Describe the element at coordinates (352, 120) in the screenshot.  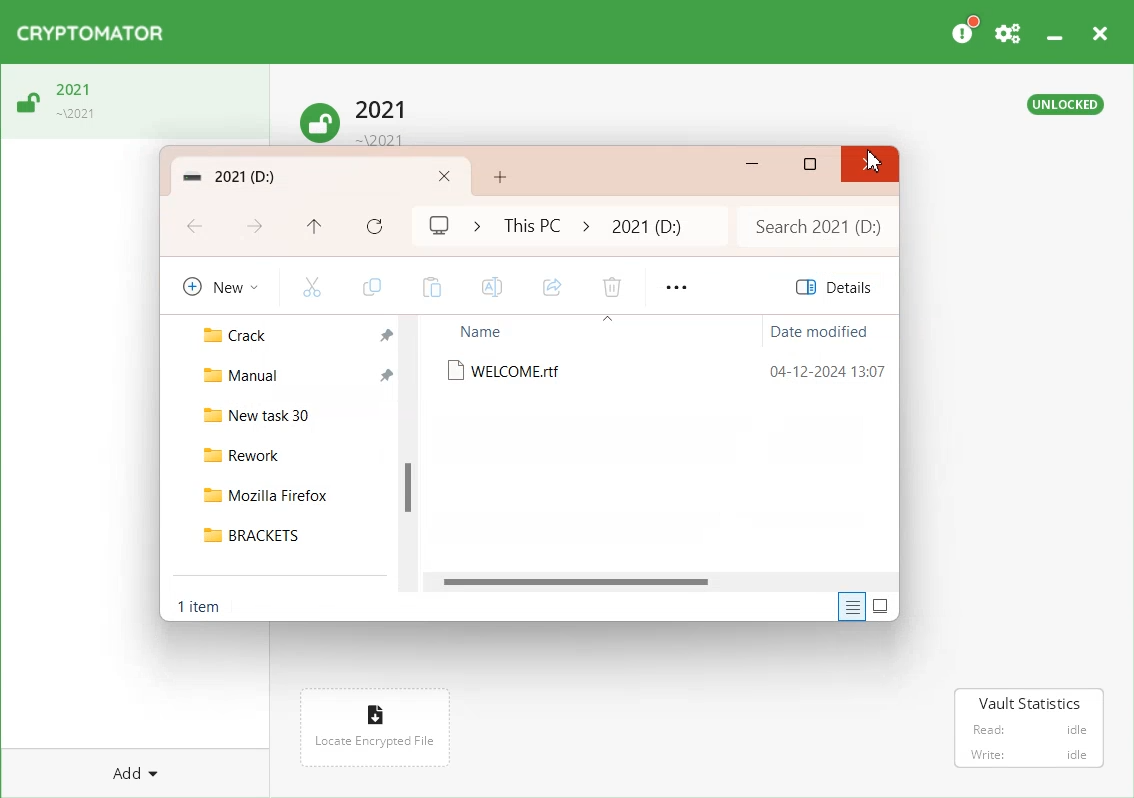
I see `Unlock Vault` at that location.